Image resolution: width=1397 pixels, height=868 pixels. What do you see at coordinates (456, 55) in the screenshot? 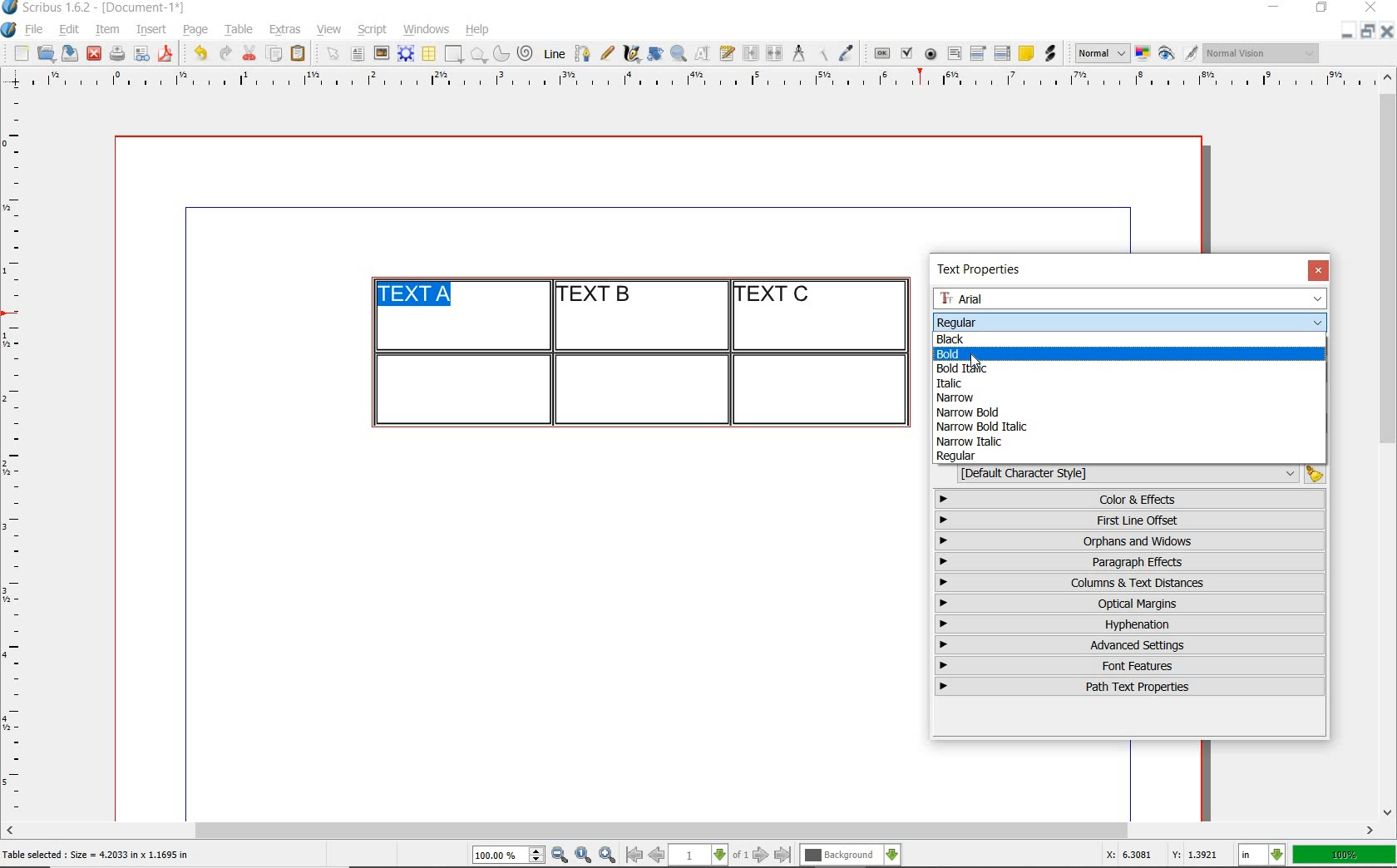
I see `shape` at bounding box center [456, 55].